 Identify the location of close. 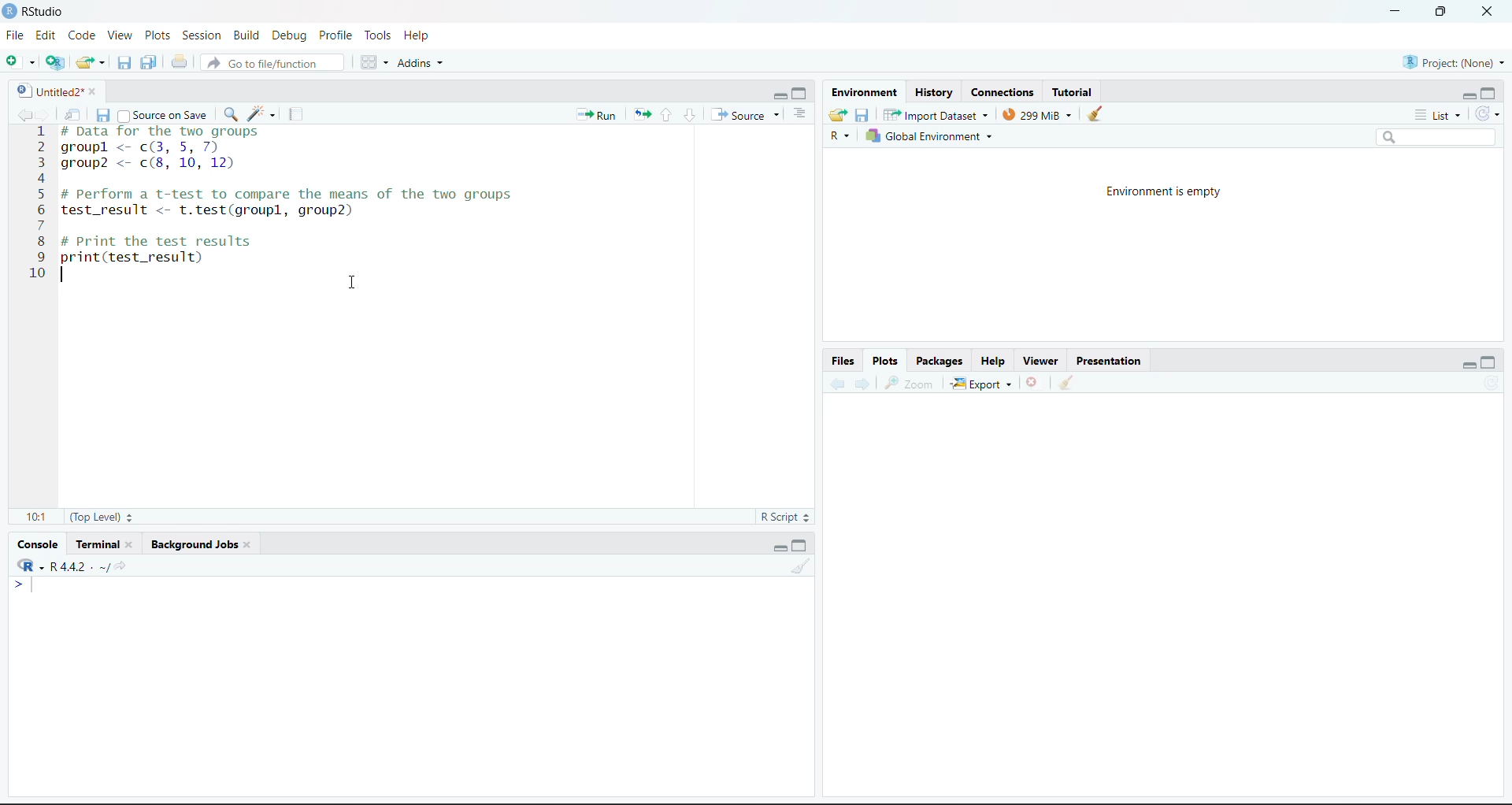
(132, 544).